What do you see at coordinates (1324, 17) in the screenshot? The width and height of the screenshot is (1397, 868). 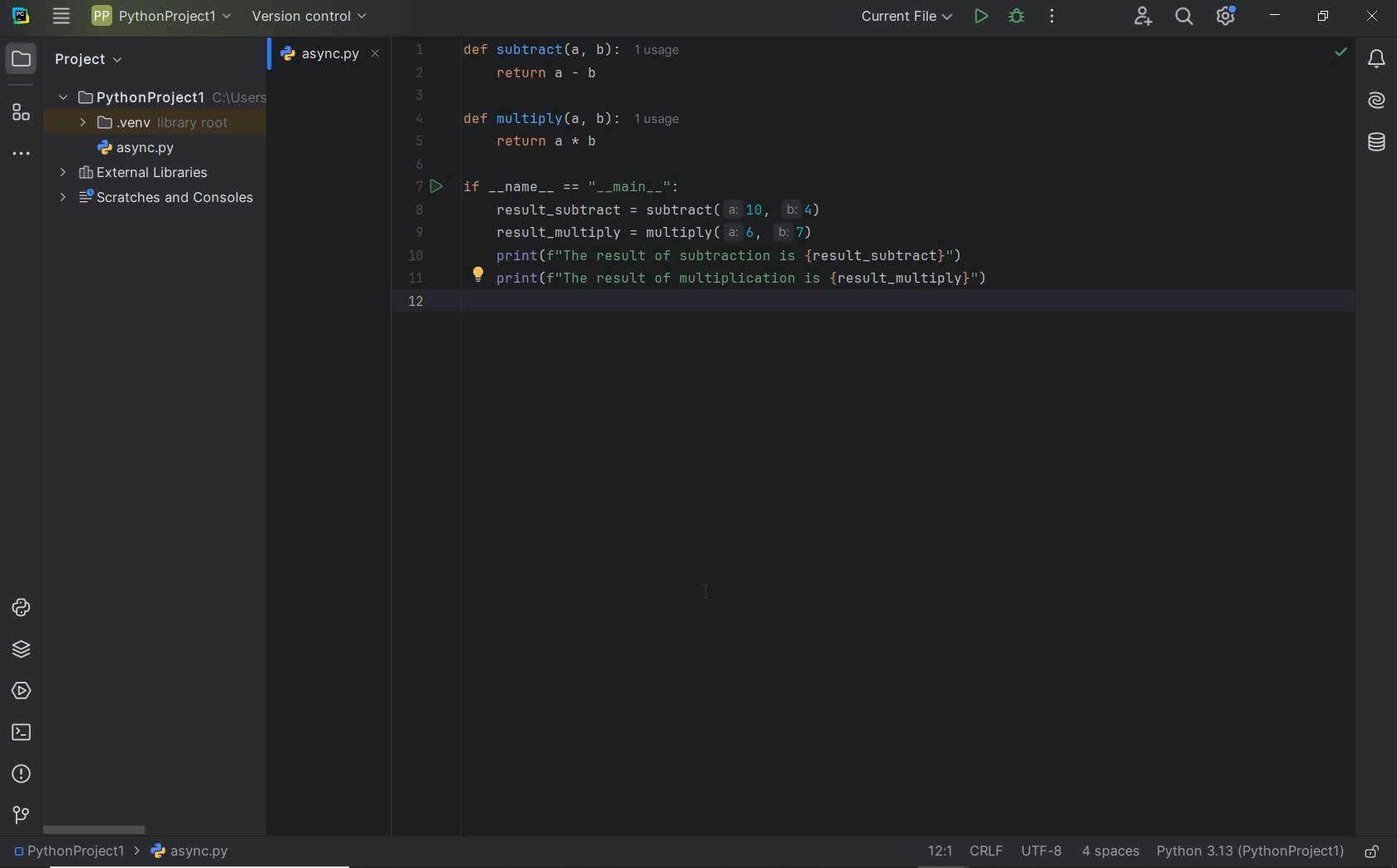 I see `restore down` at bounding box center [1324, 17].